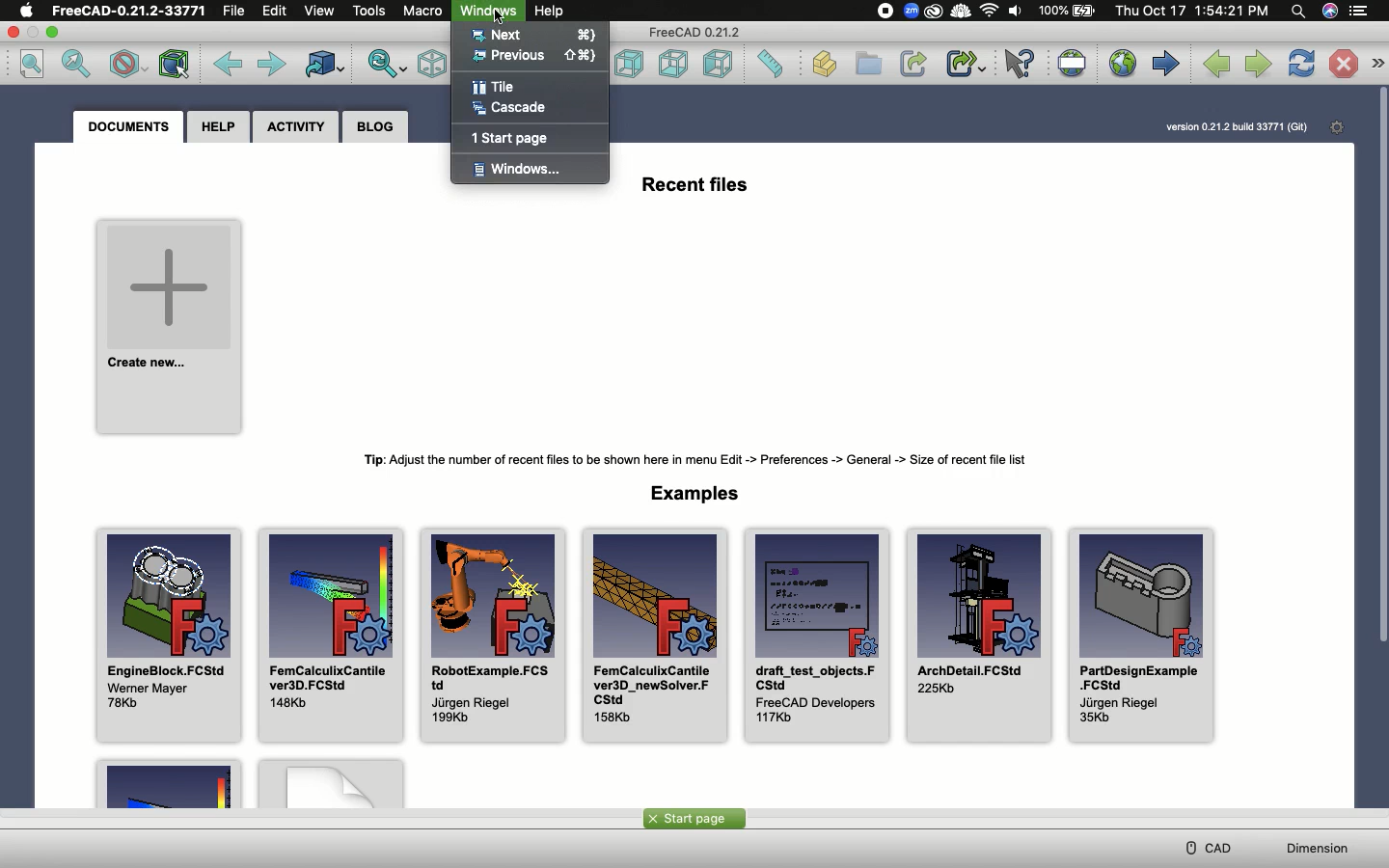  What do you see at coordinates (695, 493) in the screenshot?
I see `Examples` at bounding box center [695, 493].